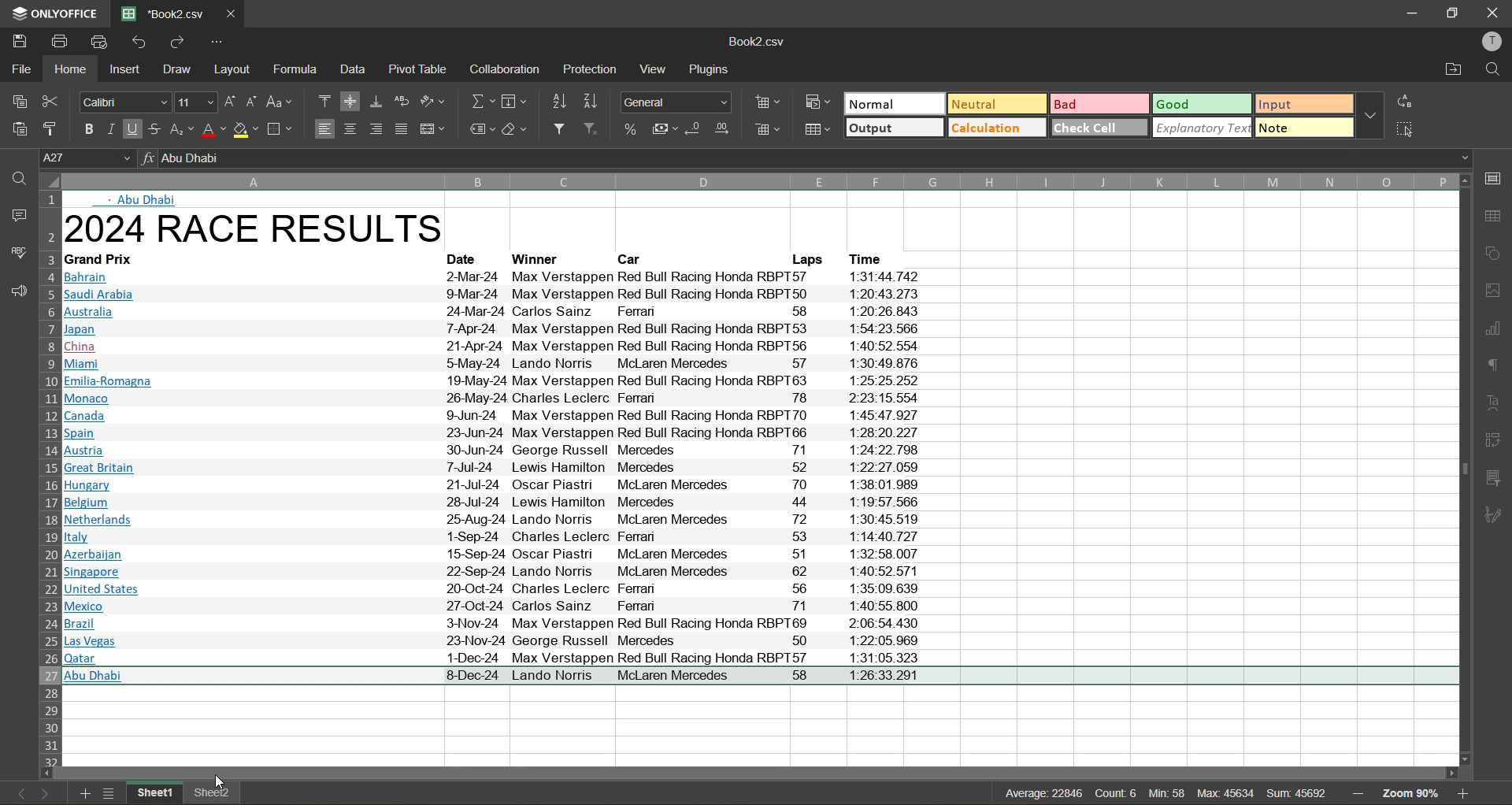  What do you see at coordinates (127, 72) in the screenshot?
I see `insert` at bounding box center [127, 72].